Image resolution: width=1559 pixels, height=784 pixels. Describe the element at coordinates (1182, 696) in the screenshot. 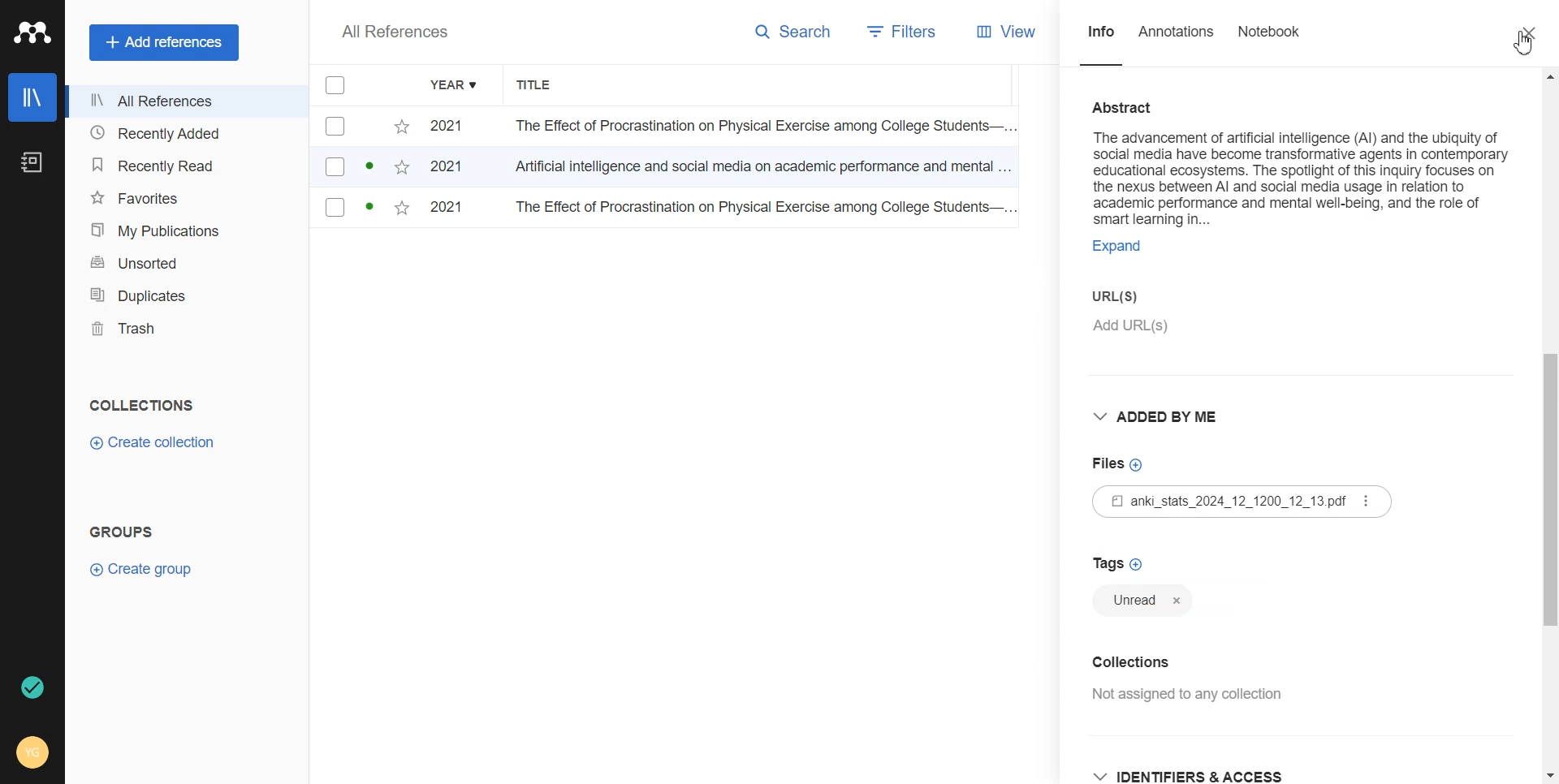

I see `Not assigned any collection` at that location.